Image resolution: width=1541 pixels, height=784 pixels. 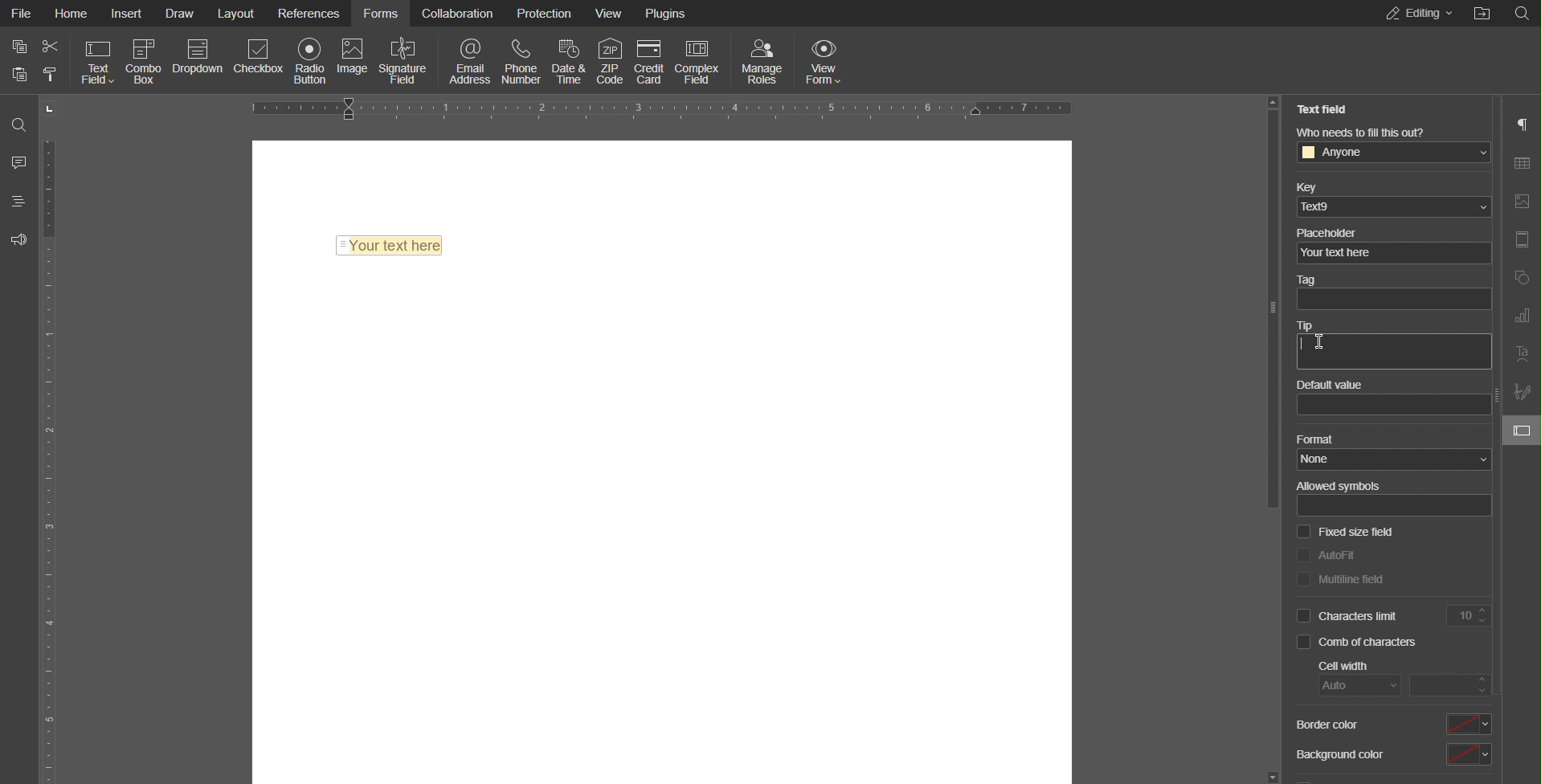 I want to click on Credit Card, so click(x=650, y=59).